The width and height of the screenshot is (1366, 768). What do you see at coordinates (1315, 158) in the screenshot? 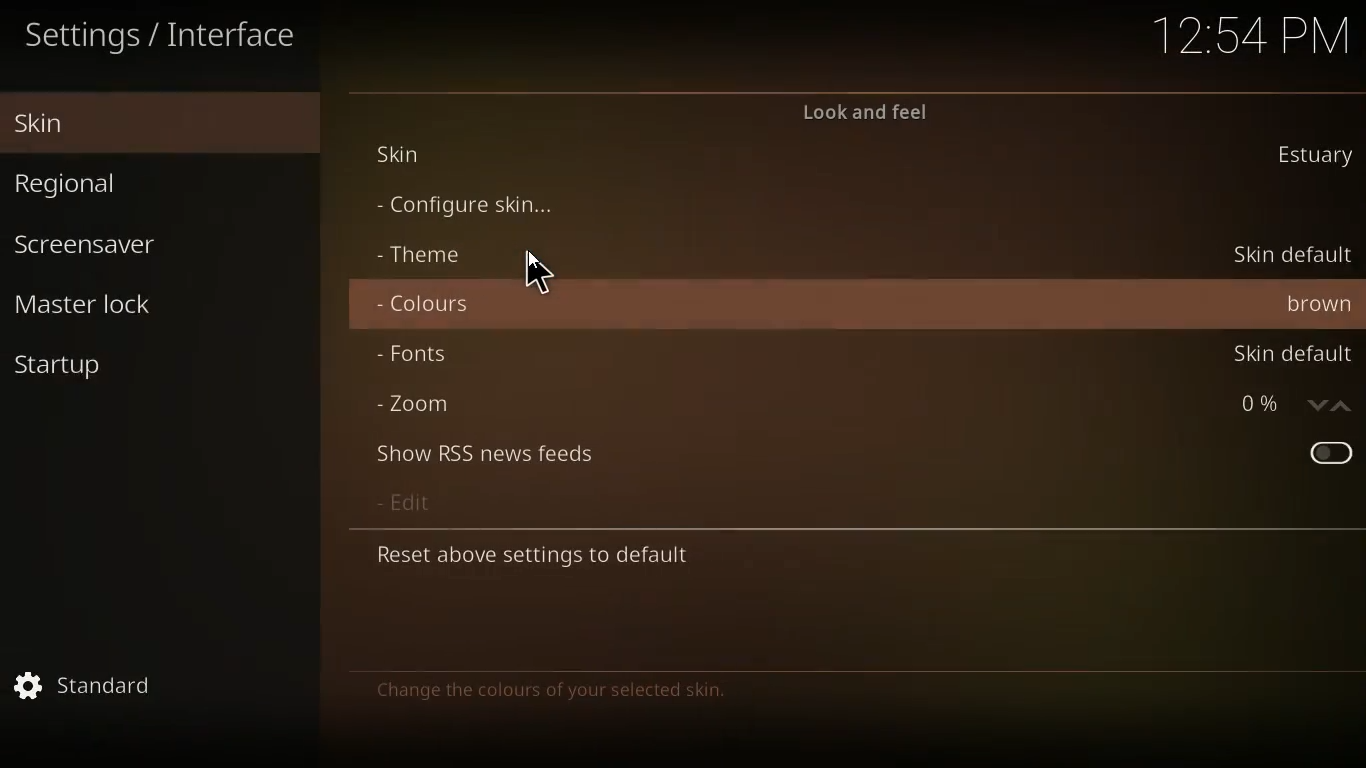
I see `skin` at bounding box center [1315, 158].